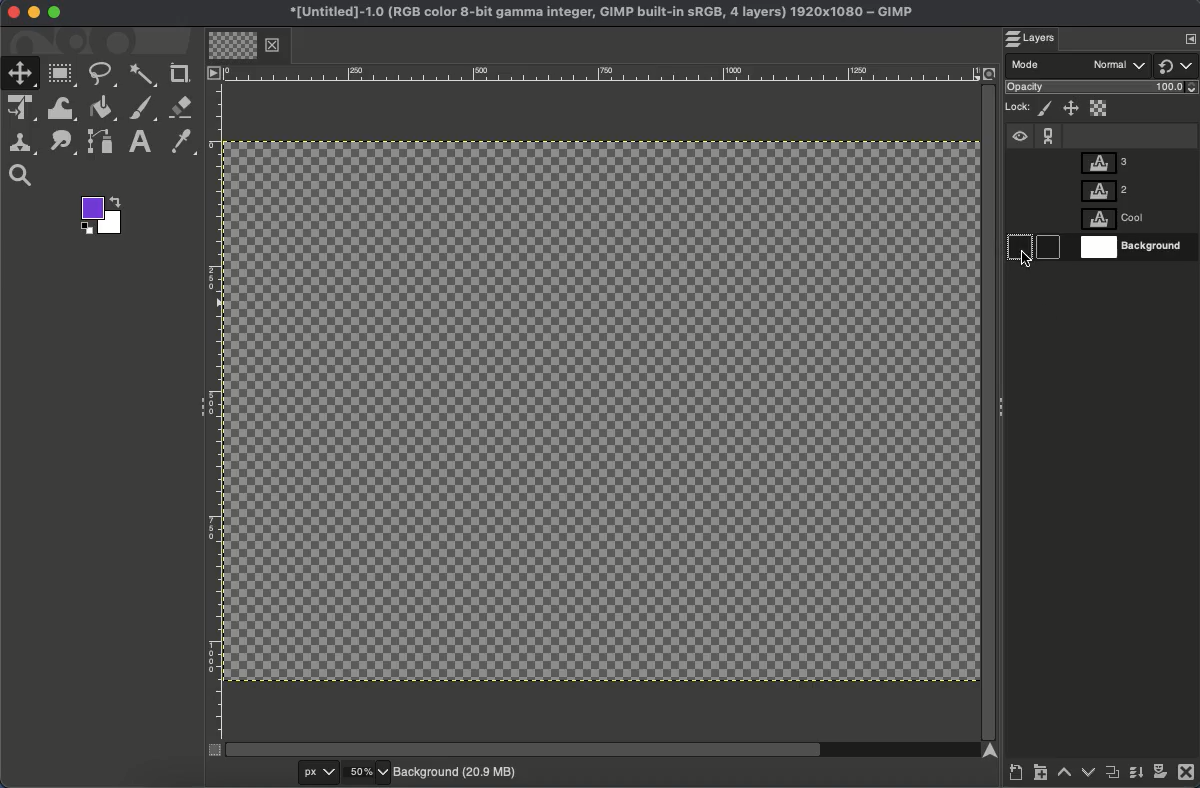 The width and height of the screenshot is (1200, 788). I want to click on Visible, so click(1018, 140).